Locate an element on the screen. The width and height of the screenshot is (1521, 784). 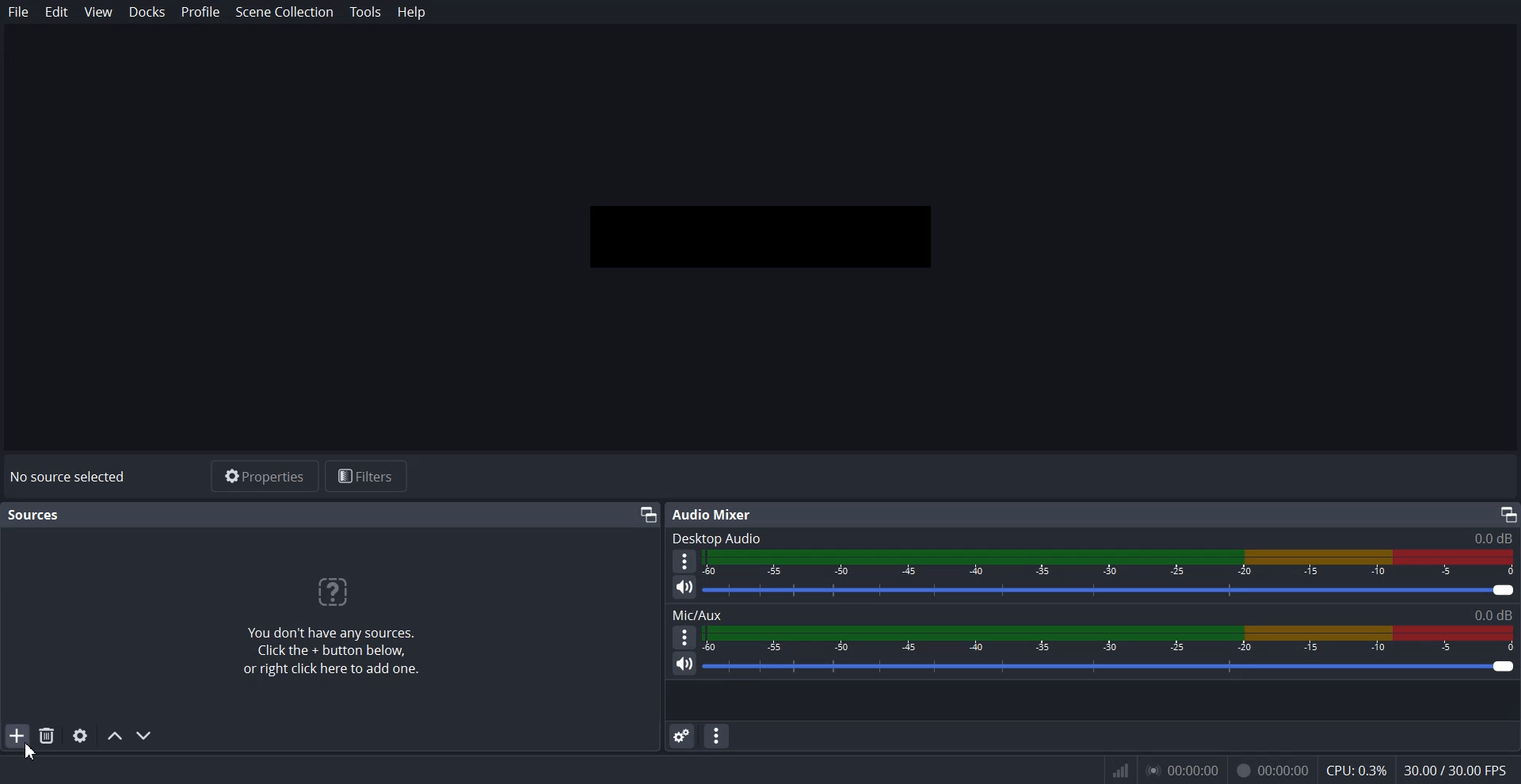
Docks is located at coordinates (147, 13).